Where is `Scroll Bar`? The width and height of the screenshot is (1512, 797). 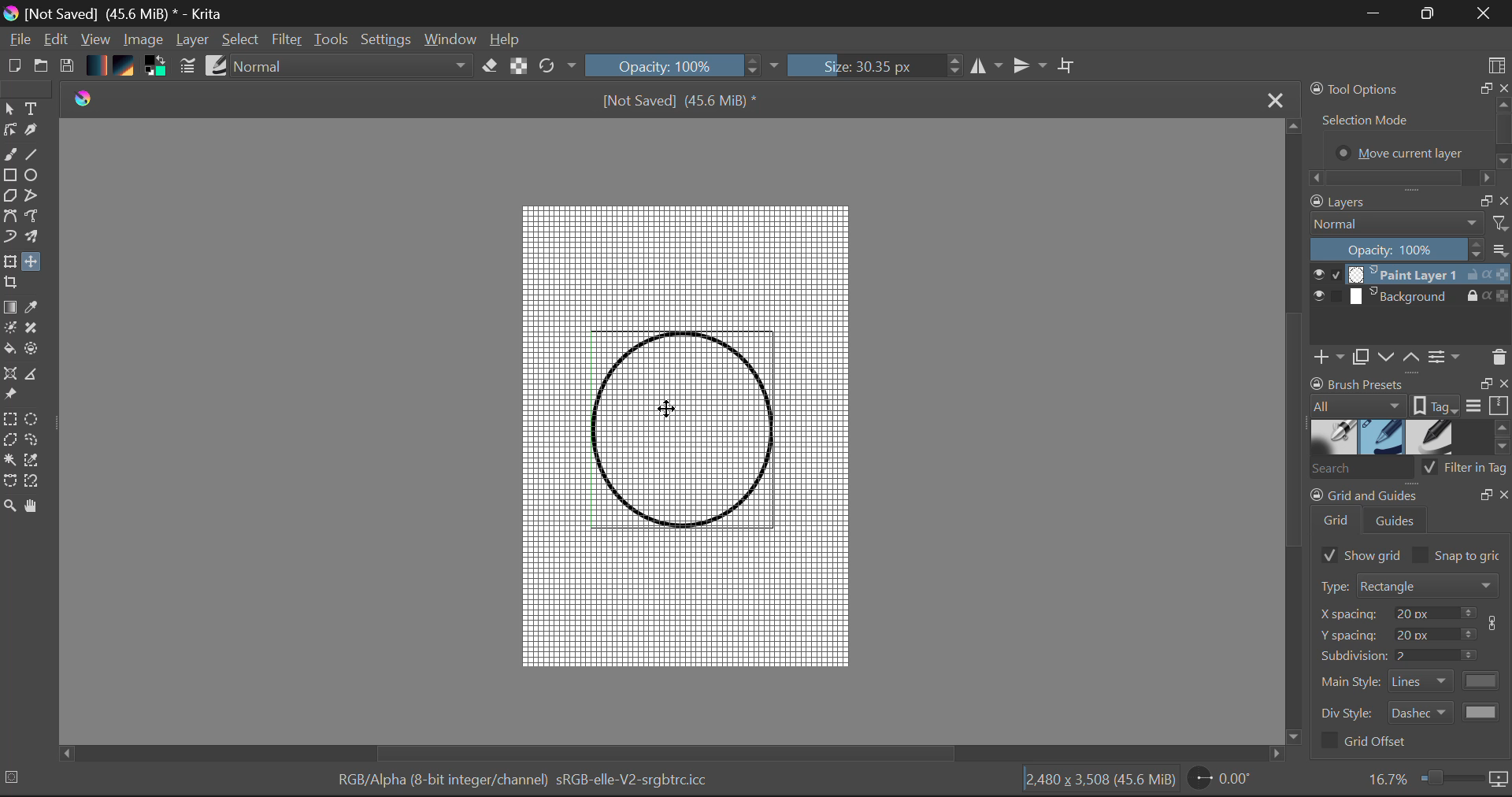
Scroll Bar is located at coordinates (674, 752).